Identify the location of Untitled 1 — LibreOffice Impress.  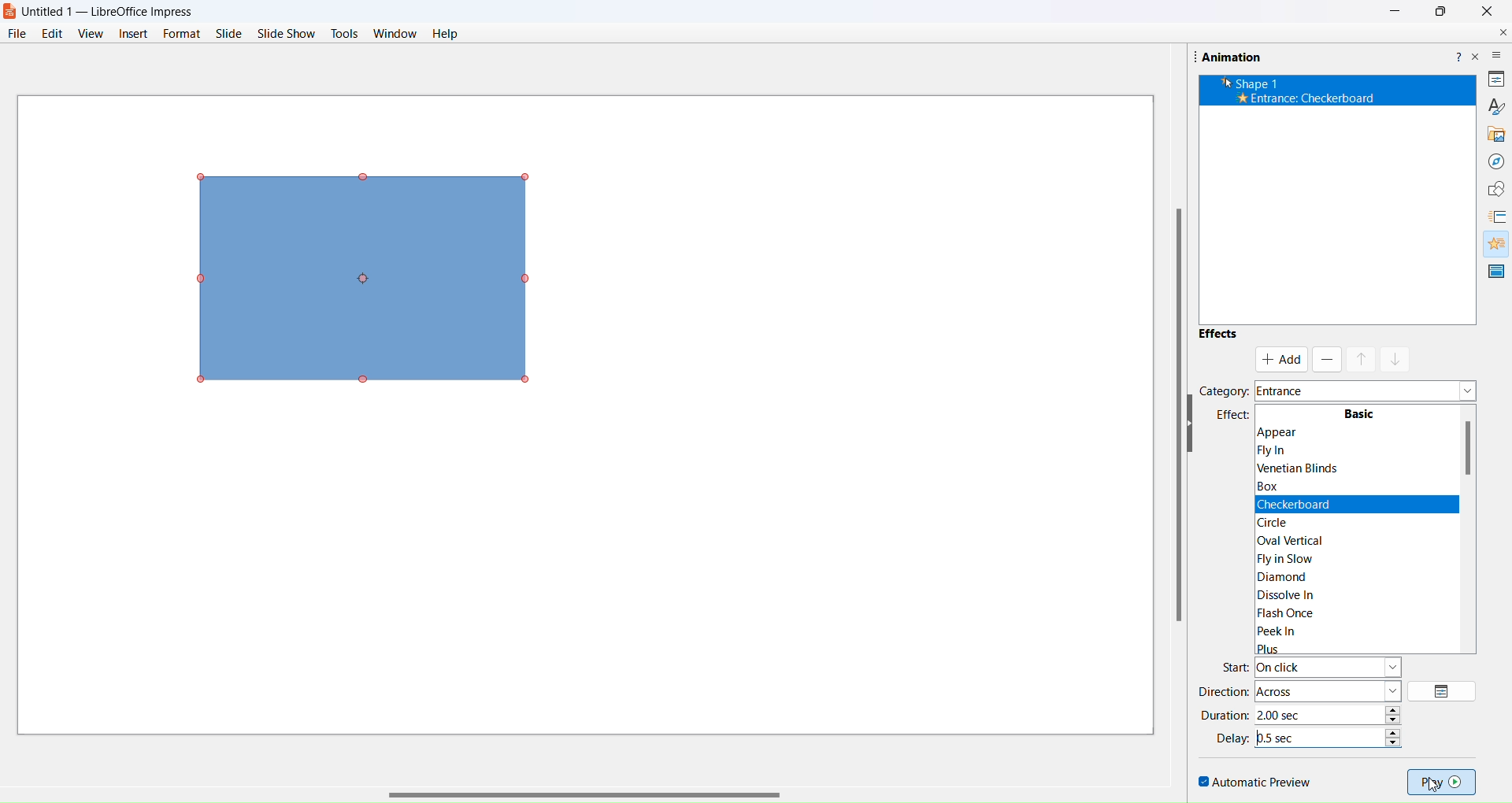
(117, 10).